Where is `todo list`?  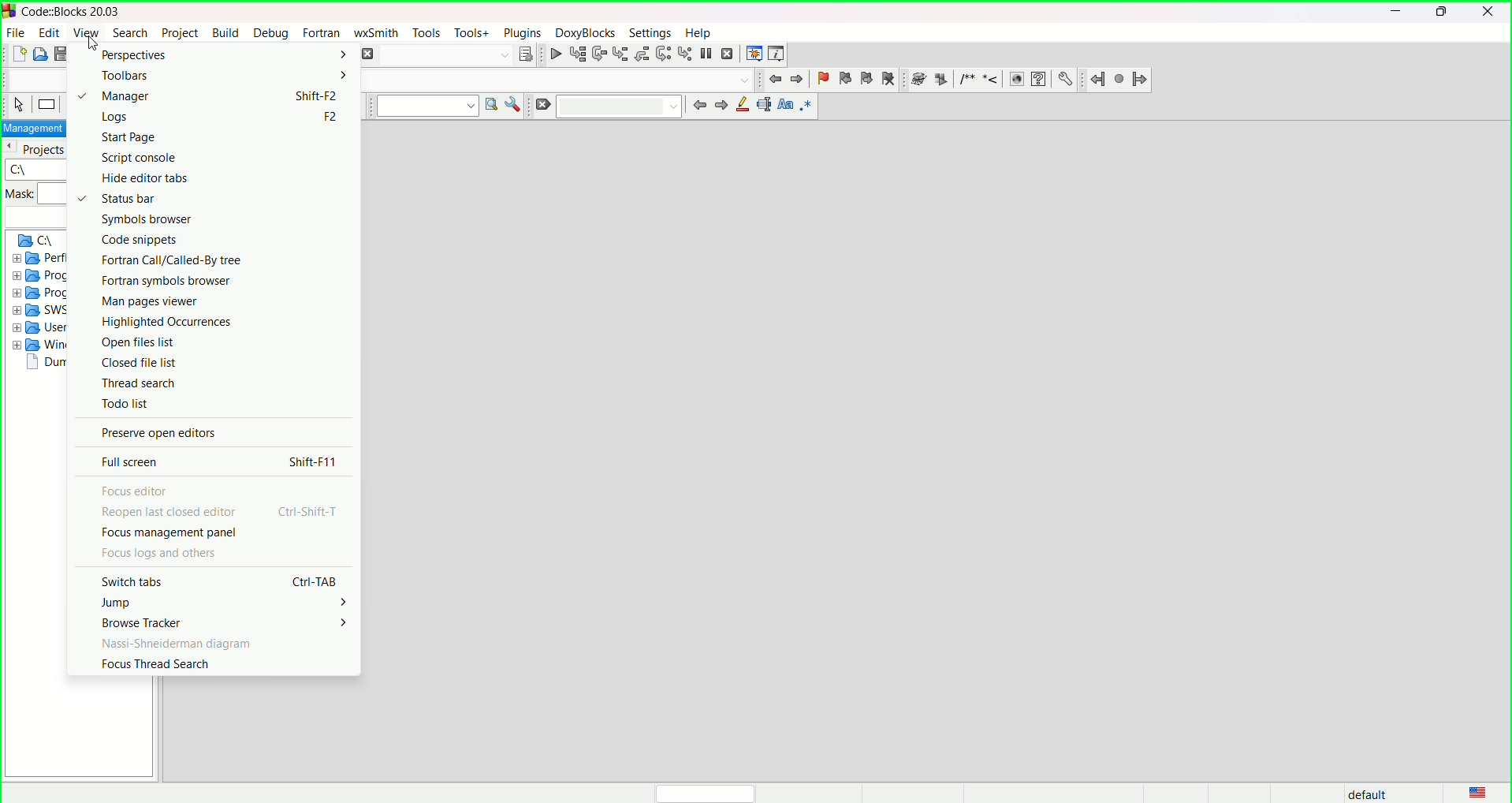 todo list is located at coordinates (125, 404).